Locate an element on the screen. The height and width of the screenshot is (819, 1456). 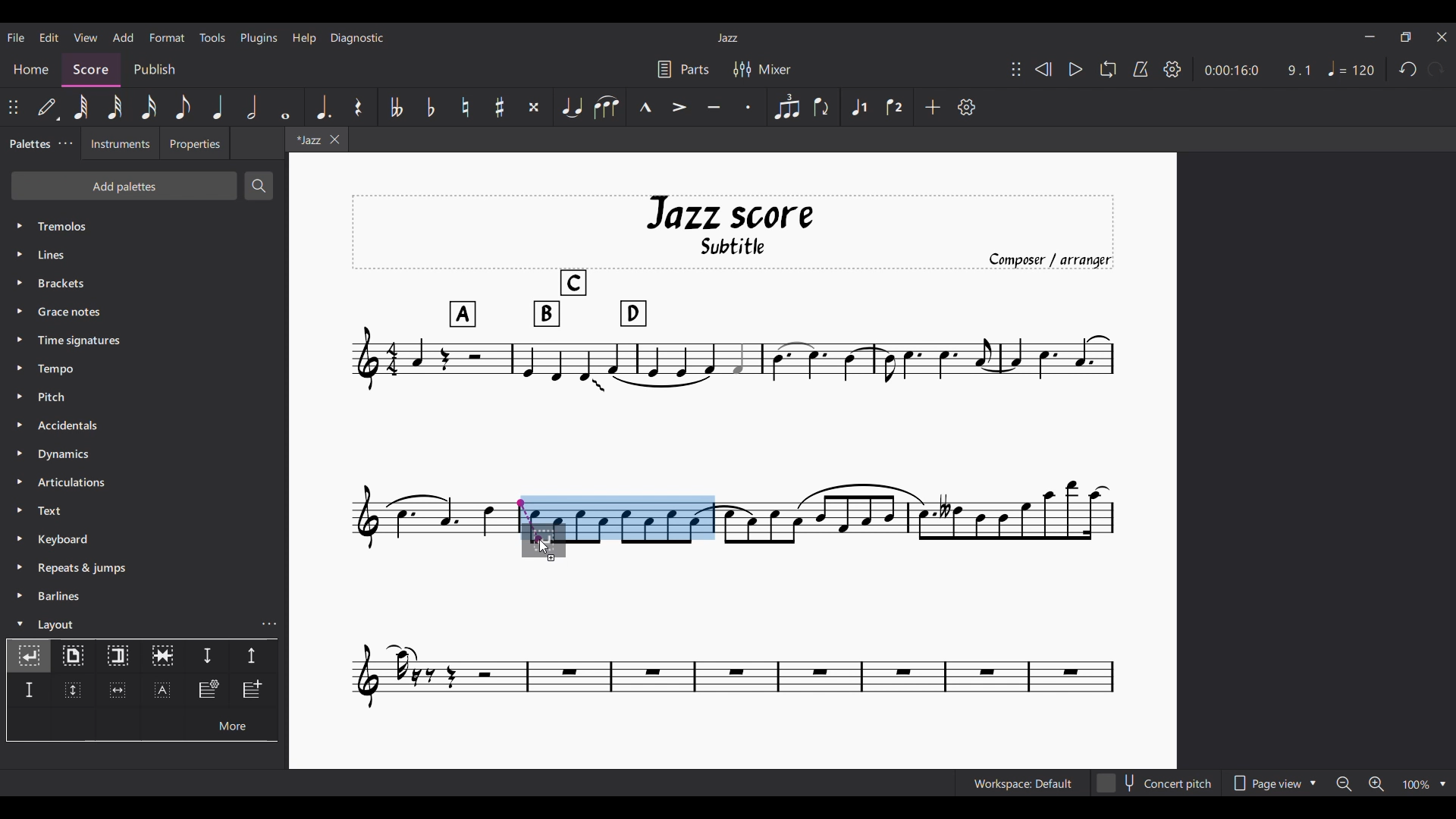
Redo is located at coordinates (1436, 68).